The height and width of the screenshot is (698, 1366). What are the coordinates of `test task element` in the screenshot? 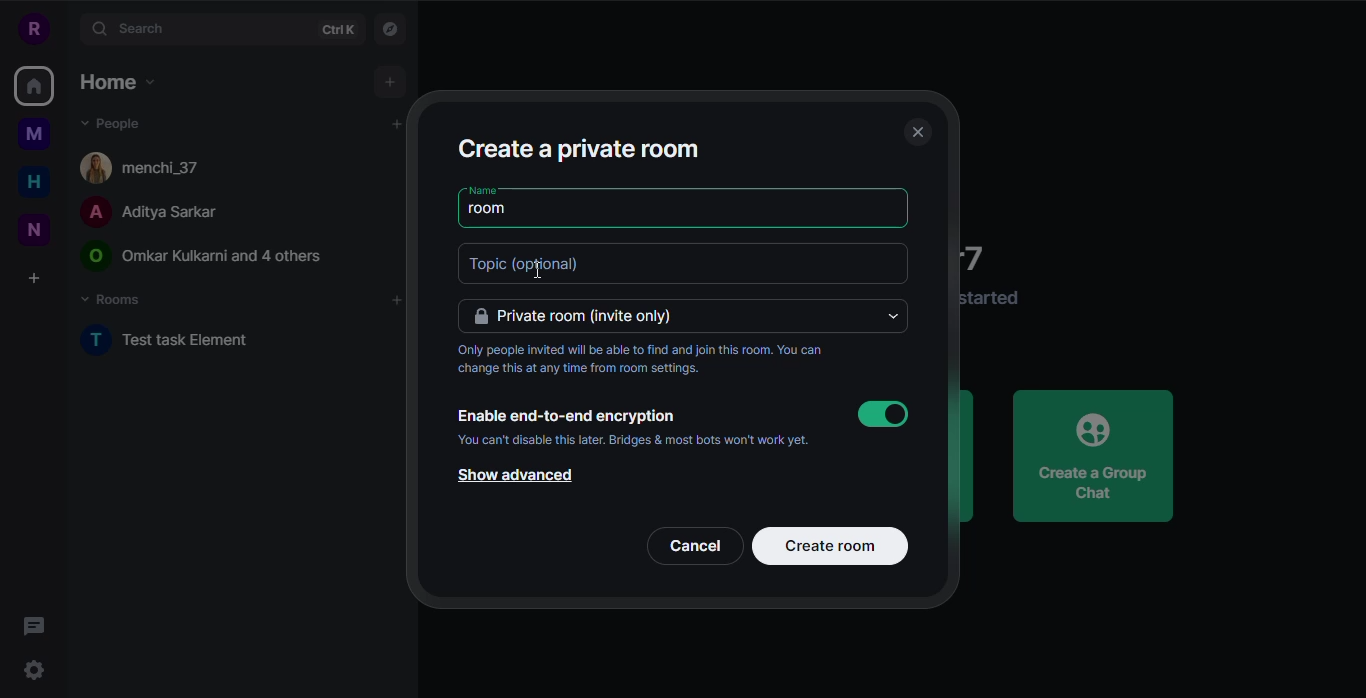 It's located at (168, 340).